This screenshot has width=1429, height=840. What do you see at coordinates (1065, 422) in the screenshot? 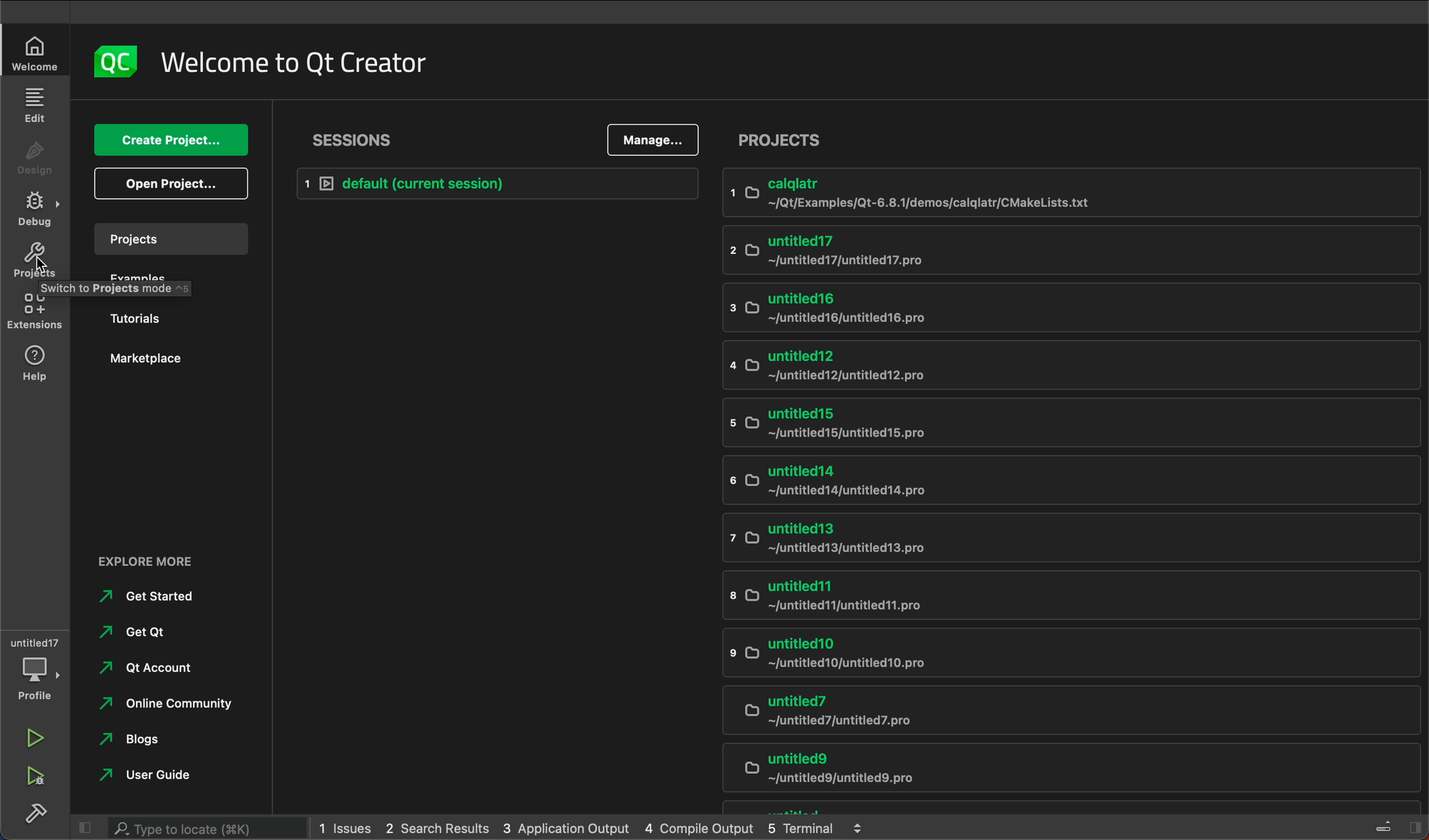
I see `untitled15` at bounding box center [1065, 422].